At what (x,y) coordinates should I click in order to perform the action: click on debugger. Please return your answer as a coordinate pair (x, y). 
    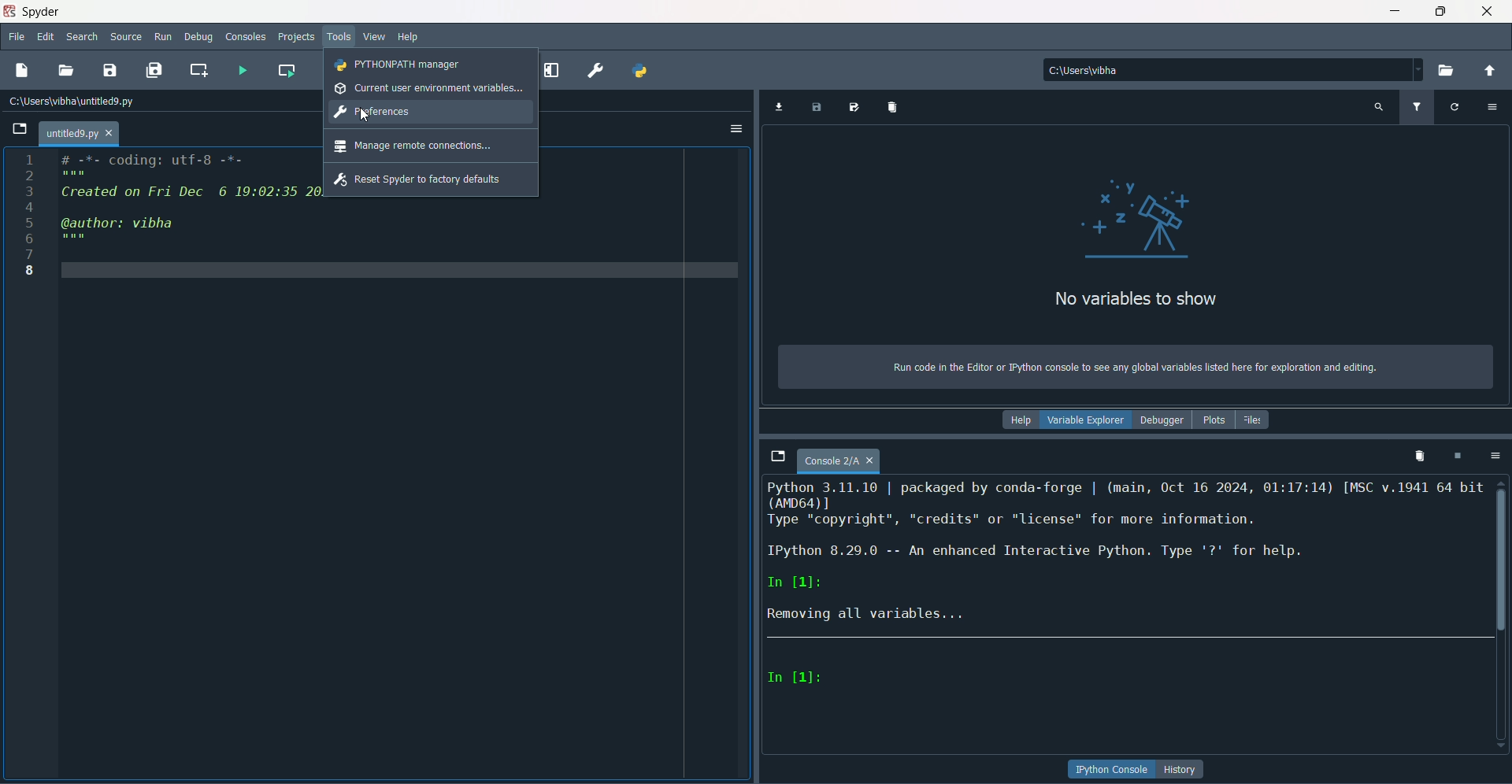
    Looking at the image, I should click on (1162, 420).